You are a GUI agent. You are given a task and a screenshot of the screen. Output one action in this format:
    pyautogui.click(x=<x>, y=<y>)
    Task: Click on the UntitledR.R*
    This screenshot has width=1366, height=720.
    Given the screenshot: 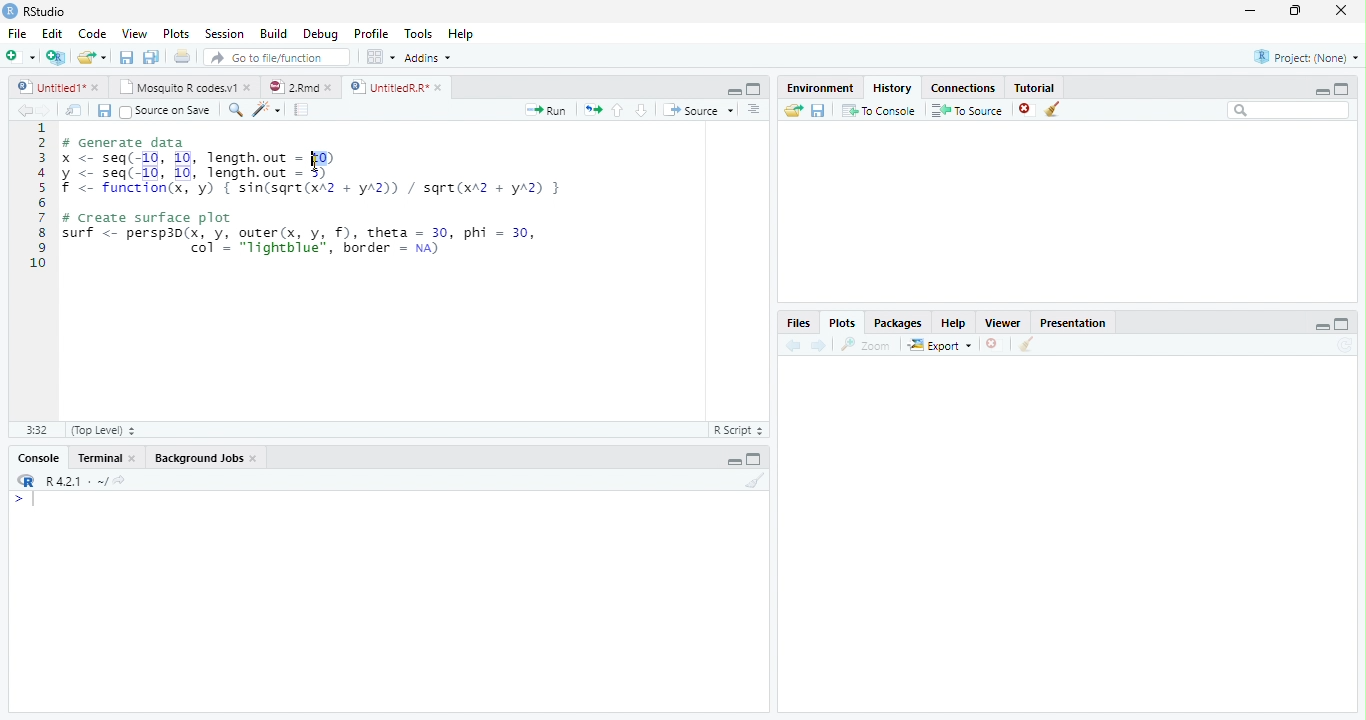 What is the action you would take?
    pyautogui.click(x=387, y=87)
    